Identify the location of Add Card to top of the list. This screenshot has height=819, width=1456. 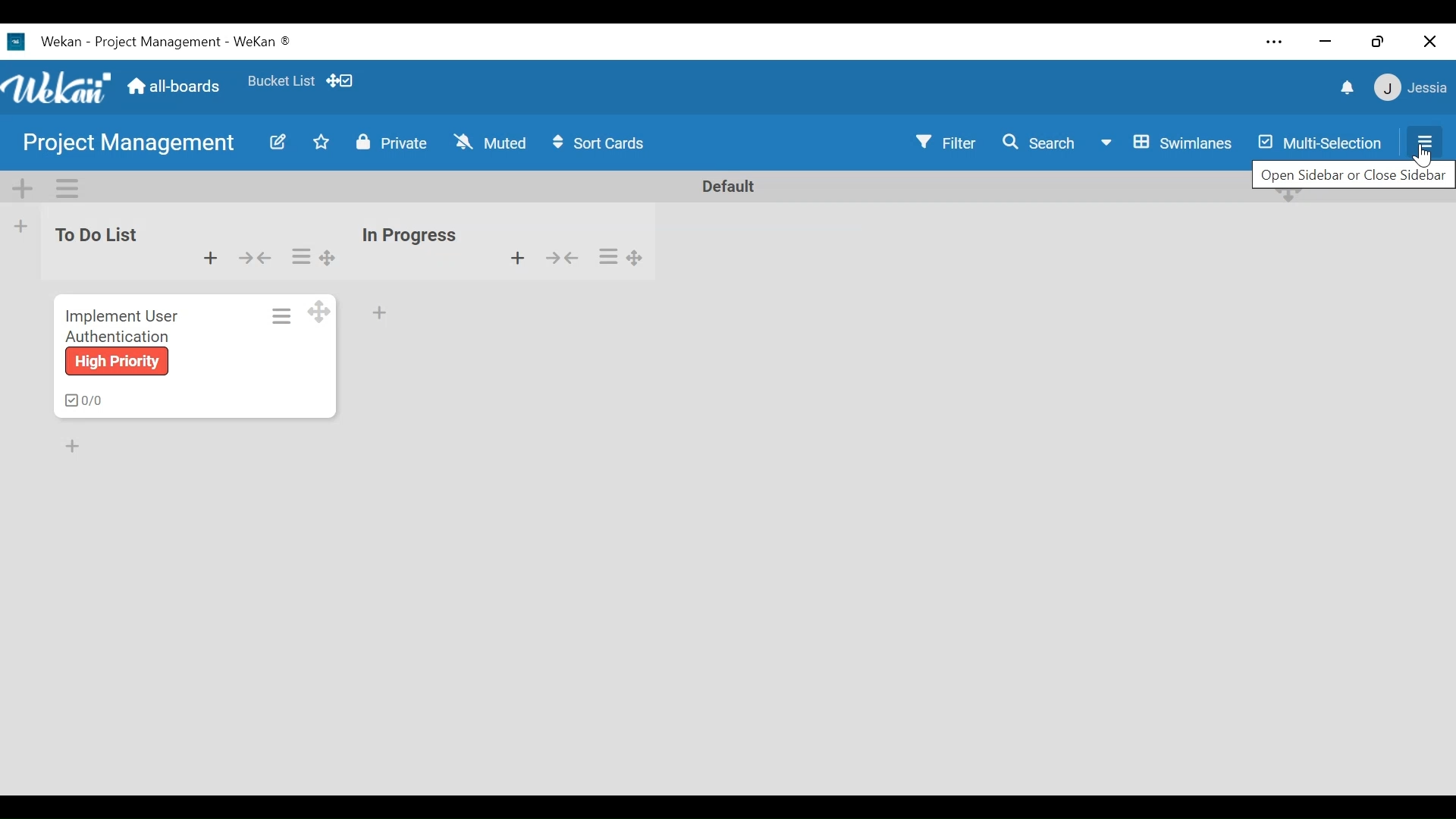
(517, 258).